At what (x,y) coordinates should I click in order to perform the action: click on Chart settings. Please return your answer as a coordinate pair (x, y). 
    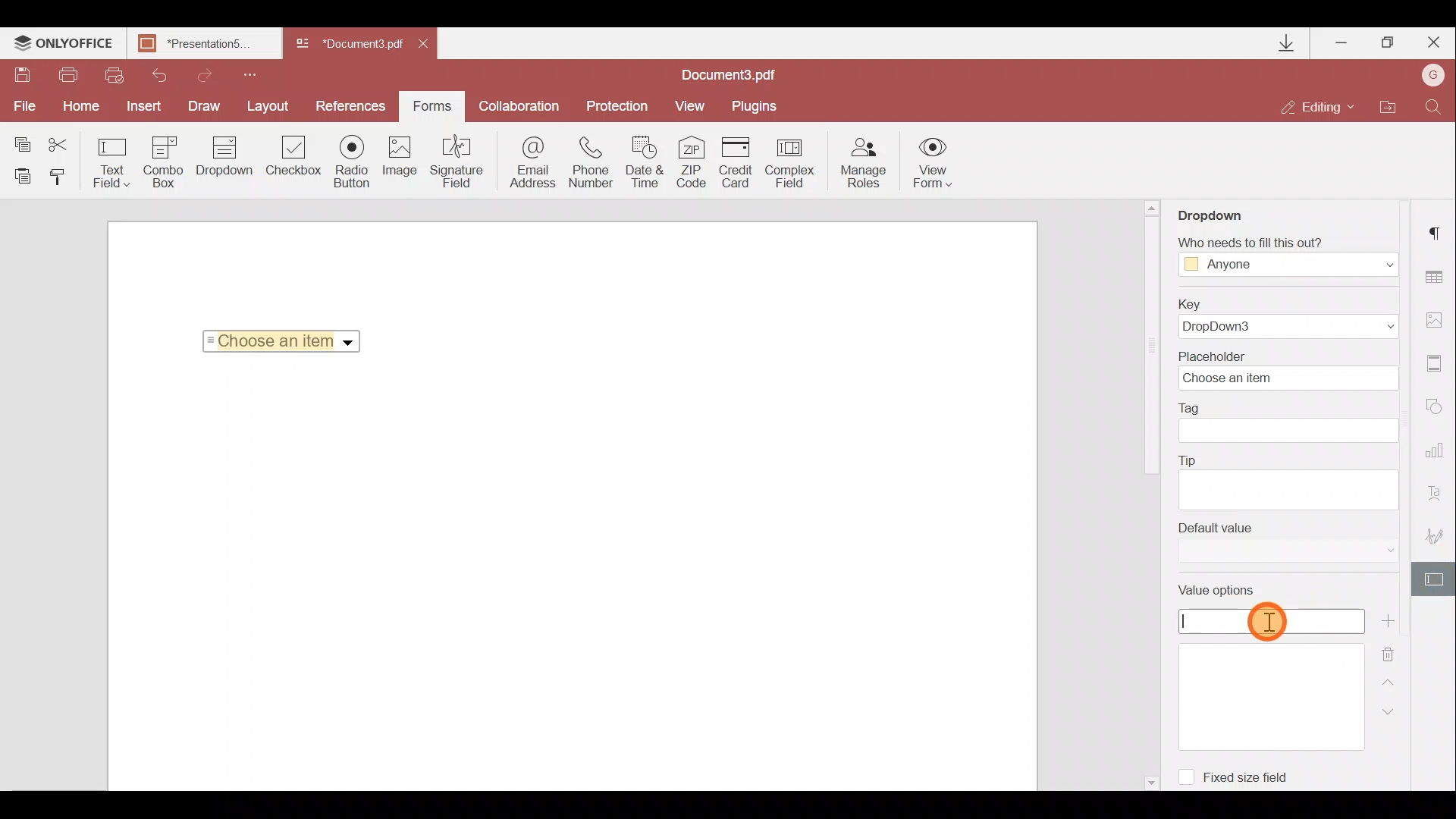
    Looking at the image, I should click on (1438, 450).